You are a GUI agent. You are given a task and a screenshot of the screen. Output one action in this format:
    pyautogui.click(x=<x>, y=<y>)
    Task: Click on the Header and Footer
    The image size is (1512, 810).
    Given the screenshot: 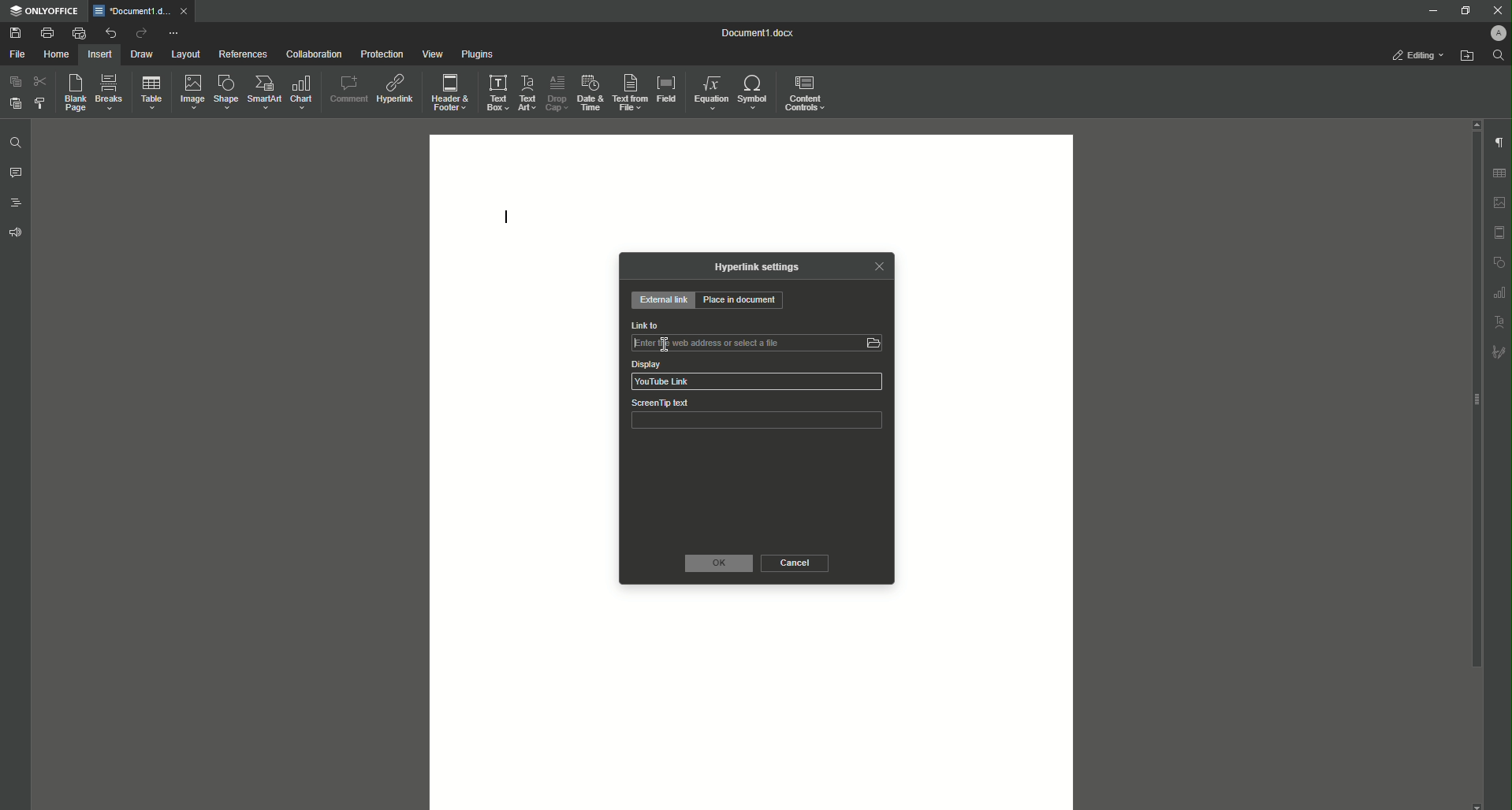 What is the action you would take?
    pyautogui.click(x=450, y=92)
    